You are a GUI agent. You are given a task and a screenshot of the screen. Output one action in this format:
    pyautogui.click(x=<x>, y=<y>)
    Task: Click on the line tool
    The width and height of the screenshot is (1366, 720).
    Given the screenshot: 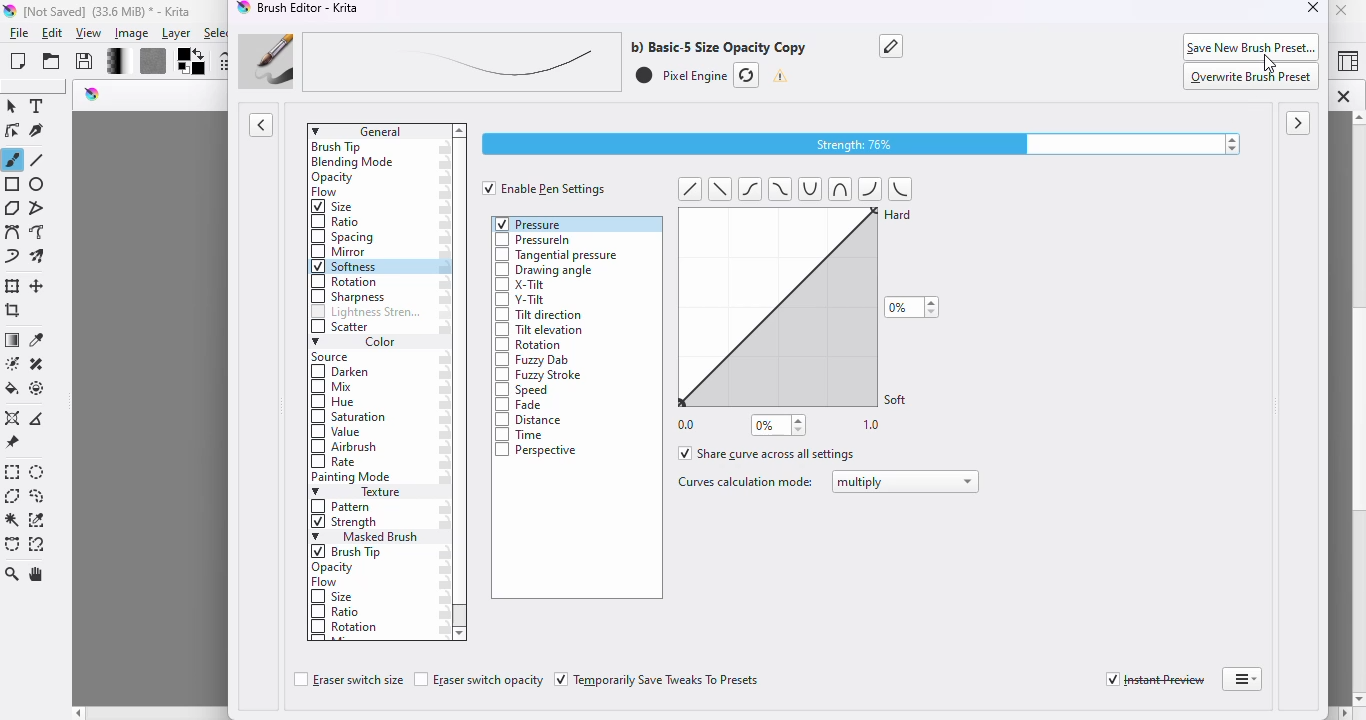 What is the action you would take?
    pyautogui.click(x=40, y=160)
    